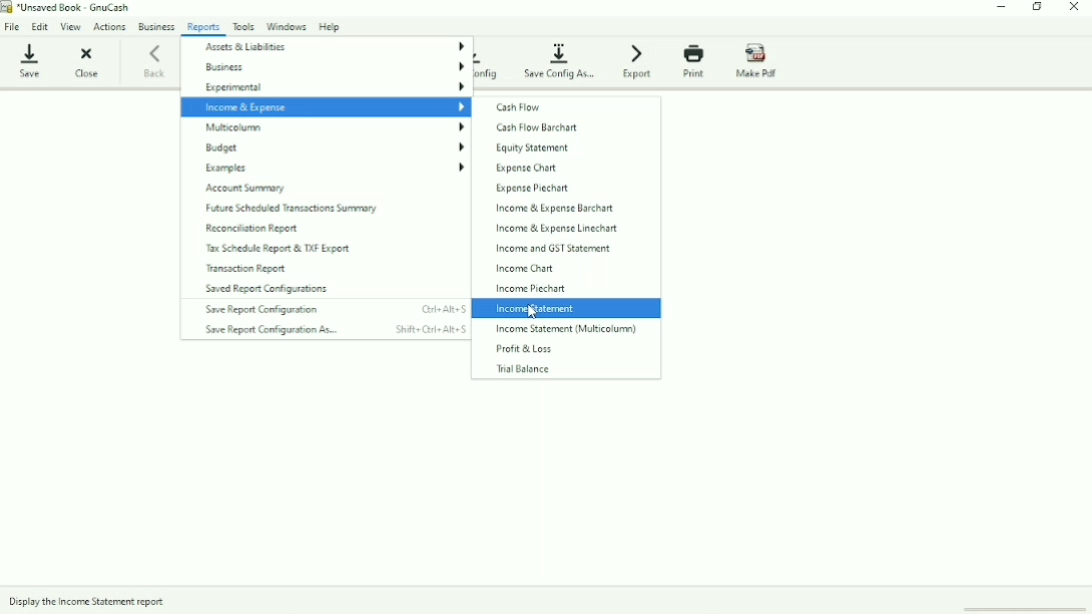 The height and width of the screenshot is (614, 1092). Describe the element at coordinates (334, 88) in the screenshot. I see `Experimental` at that location.